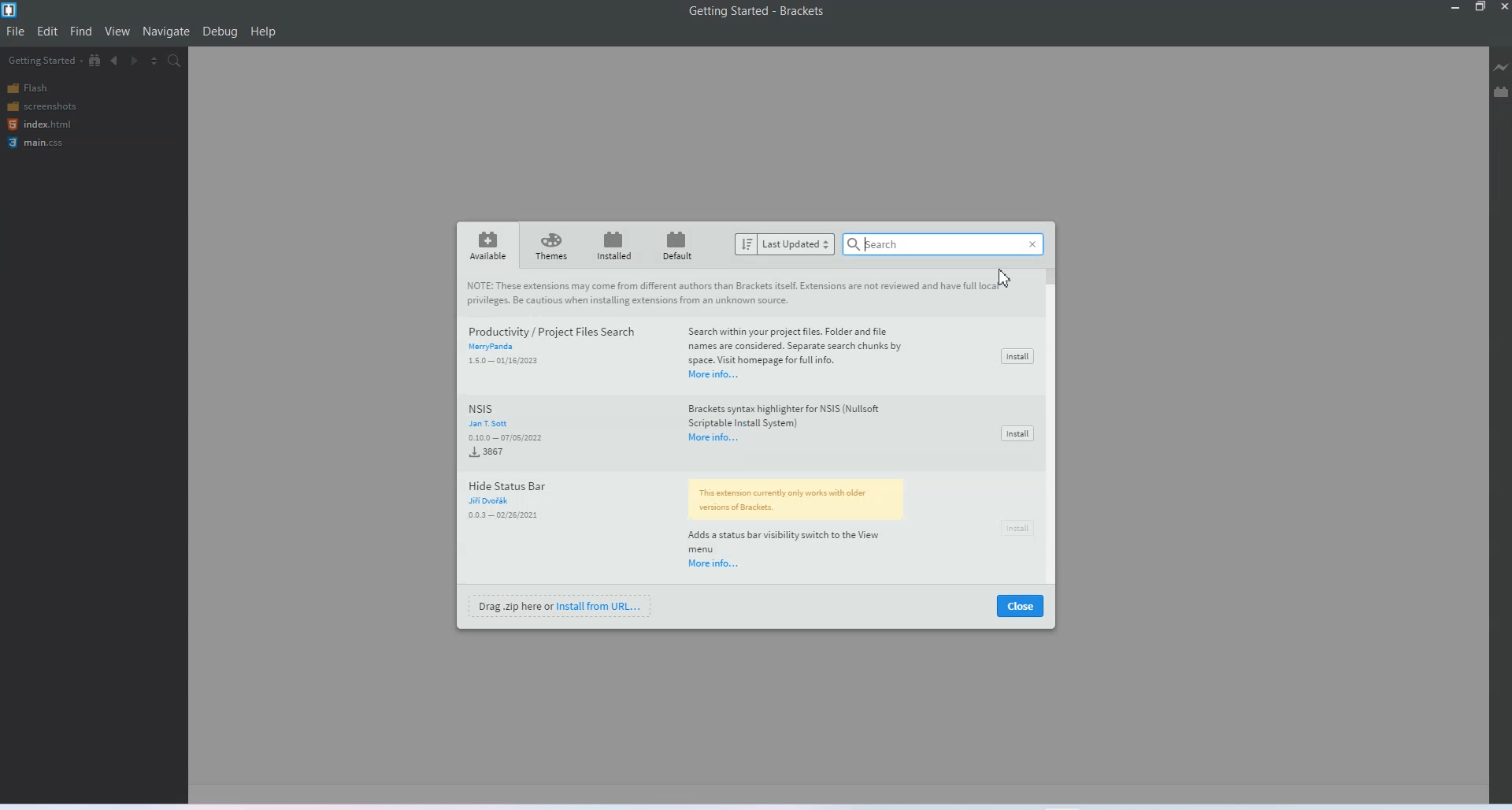  What do you see at coordinates (81, 32) in the screenshot?
I see `Find` at bounding box center [81, 32].